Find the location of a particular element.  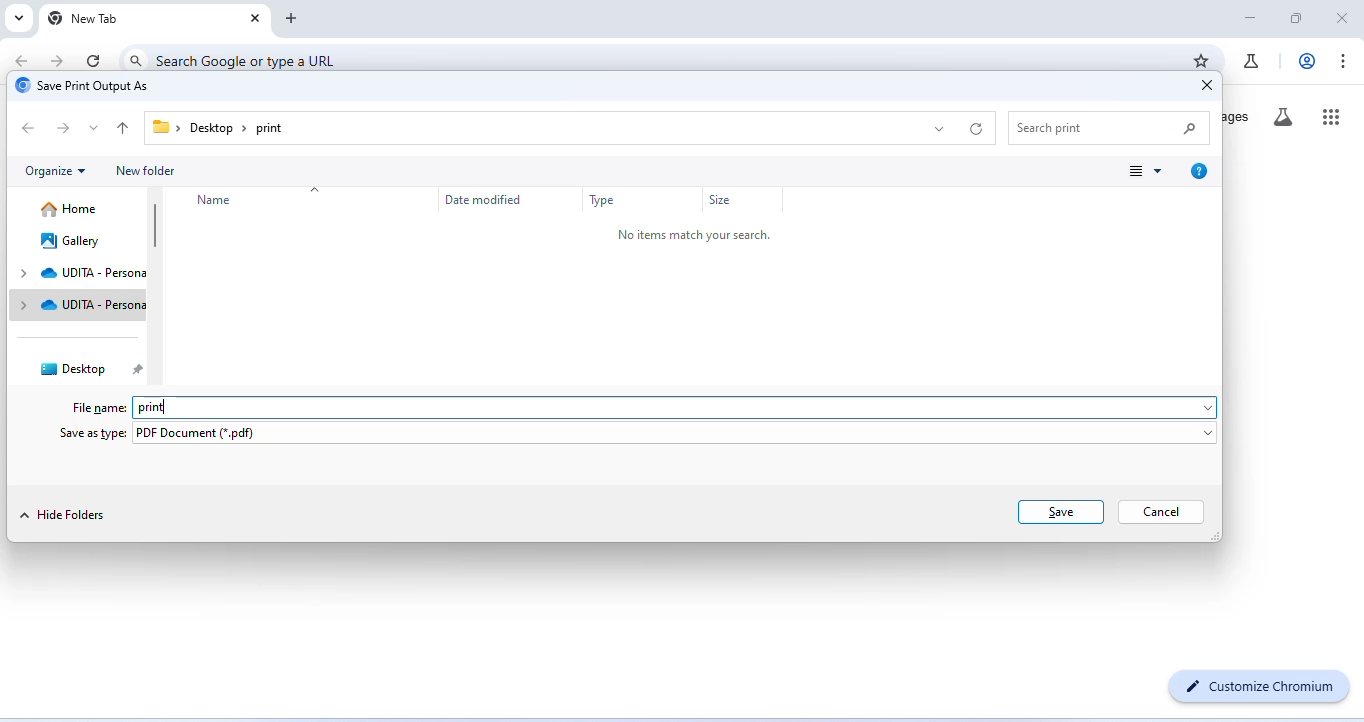

go forward is located at coordinates (57, 62).